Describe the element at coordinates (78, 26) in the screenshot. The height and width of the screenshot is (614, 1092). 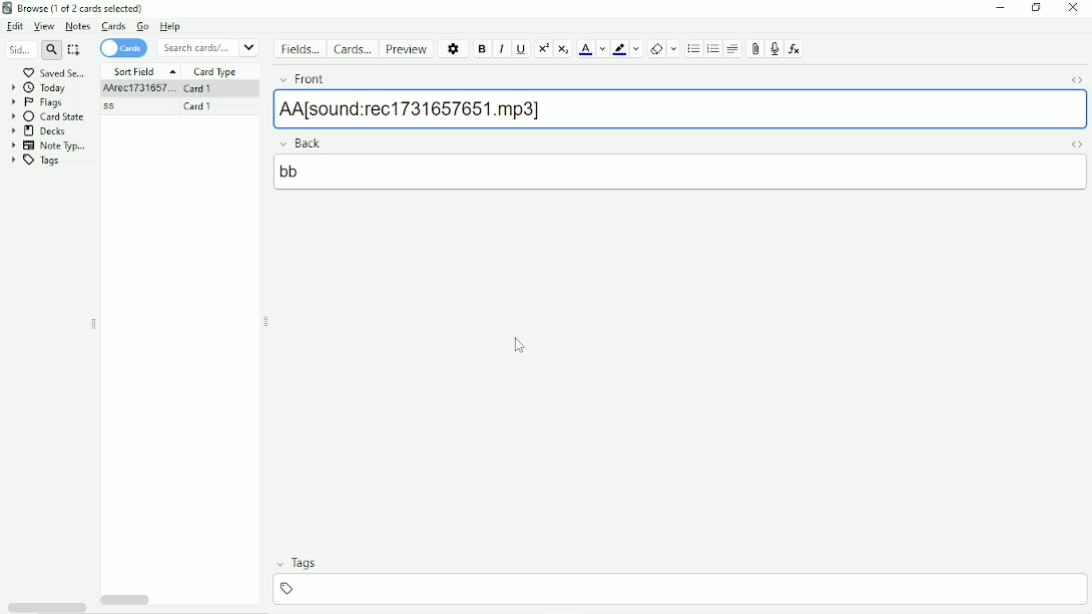
I see `Notes` at that location.